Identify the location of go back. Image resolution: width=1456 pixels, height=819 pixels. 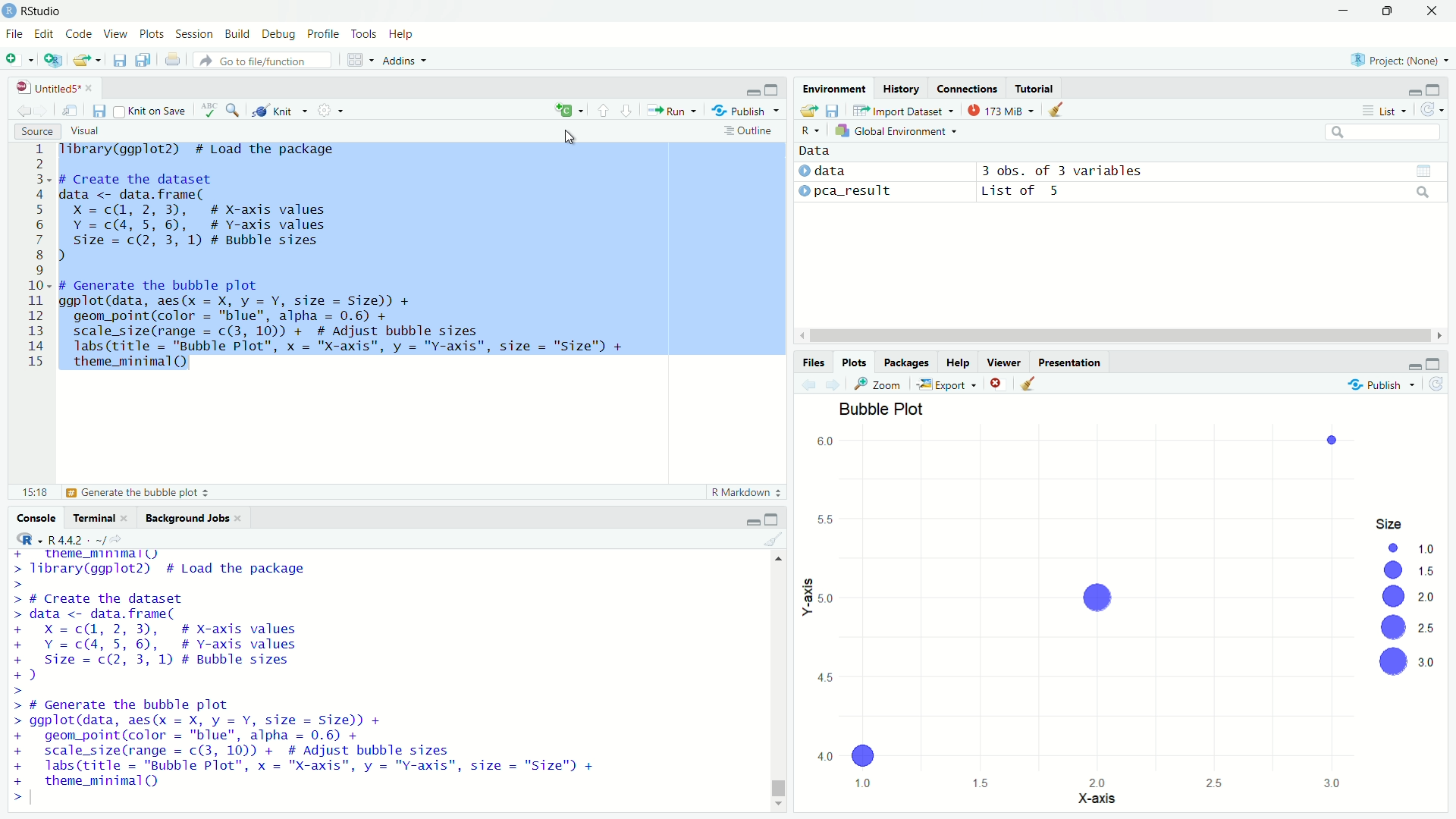
(24, 109).